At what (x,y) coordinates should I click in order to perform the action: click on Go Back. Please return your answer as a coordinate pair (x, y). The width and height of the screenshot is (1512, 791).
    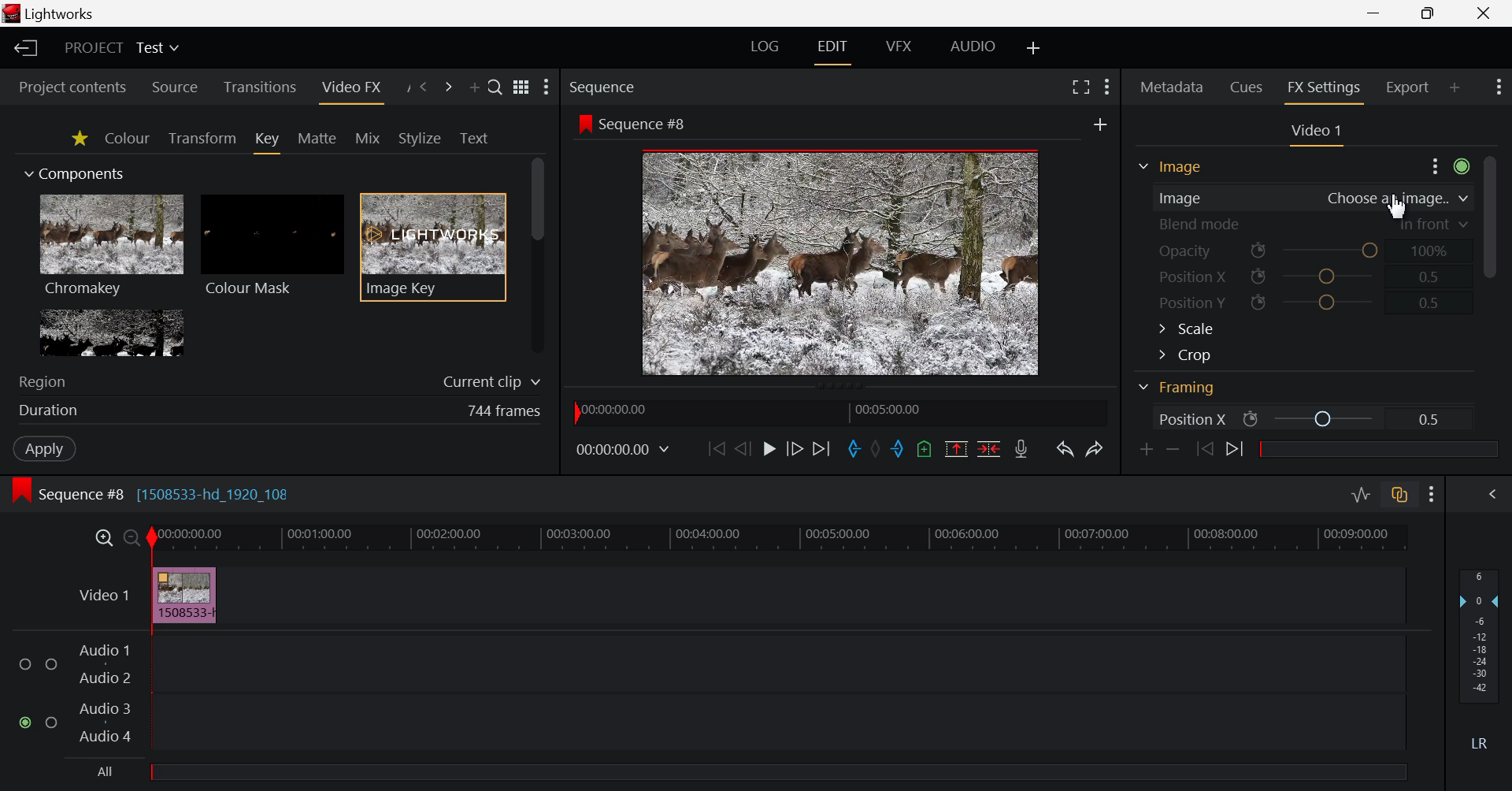
    Looking at the image, I should click on (743, 448).